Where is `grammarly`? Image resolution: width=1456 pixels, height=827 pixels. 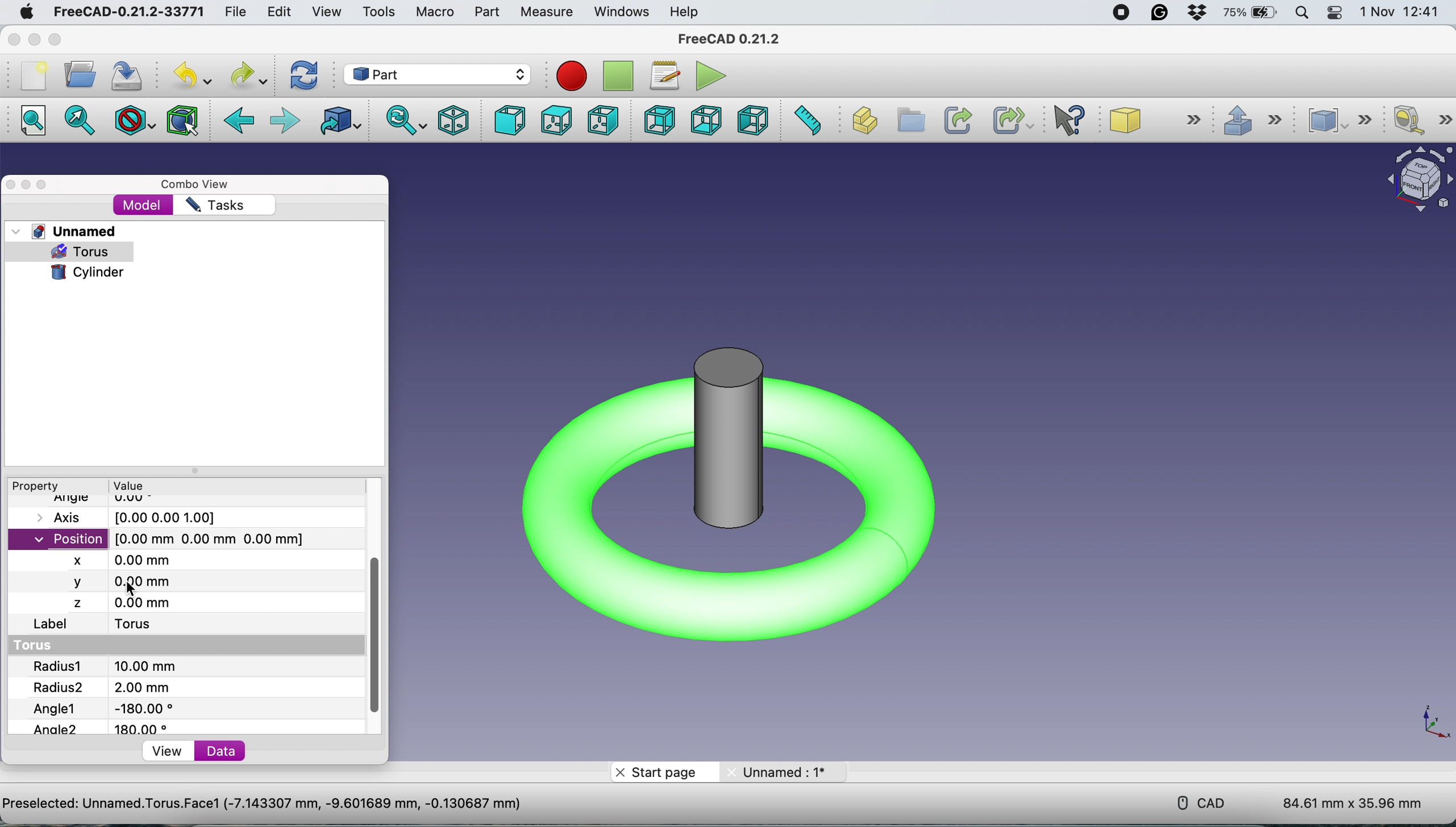
grammarly is located at coordinates (1162, 15).